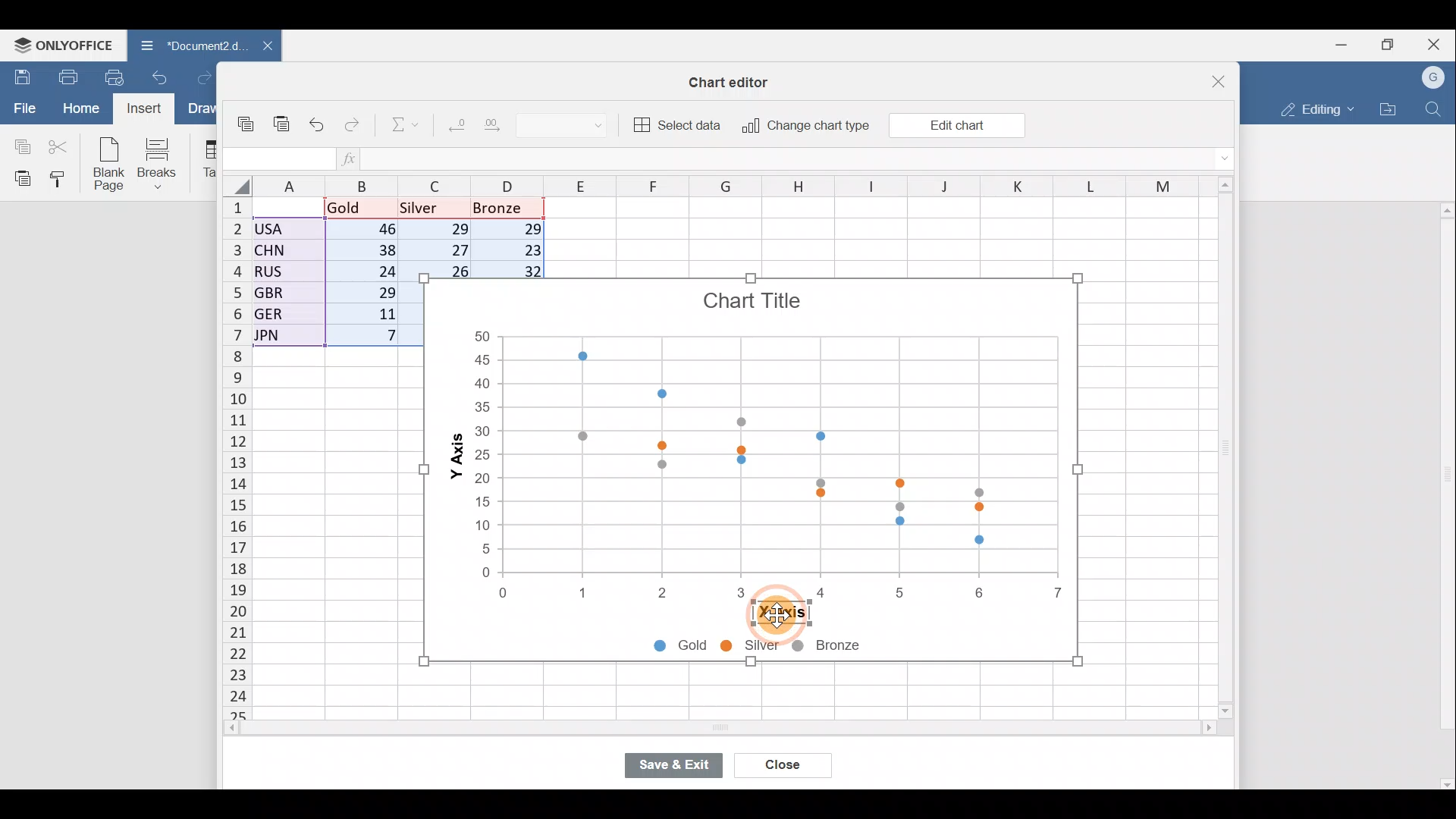 The image size is (1456, 819). What do you see at coordinates (453, 128) in the screenshot?
I see `Decrease decimal` at bounding box center [453, 128].